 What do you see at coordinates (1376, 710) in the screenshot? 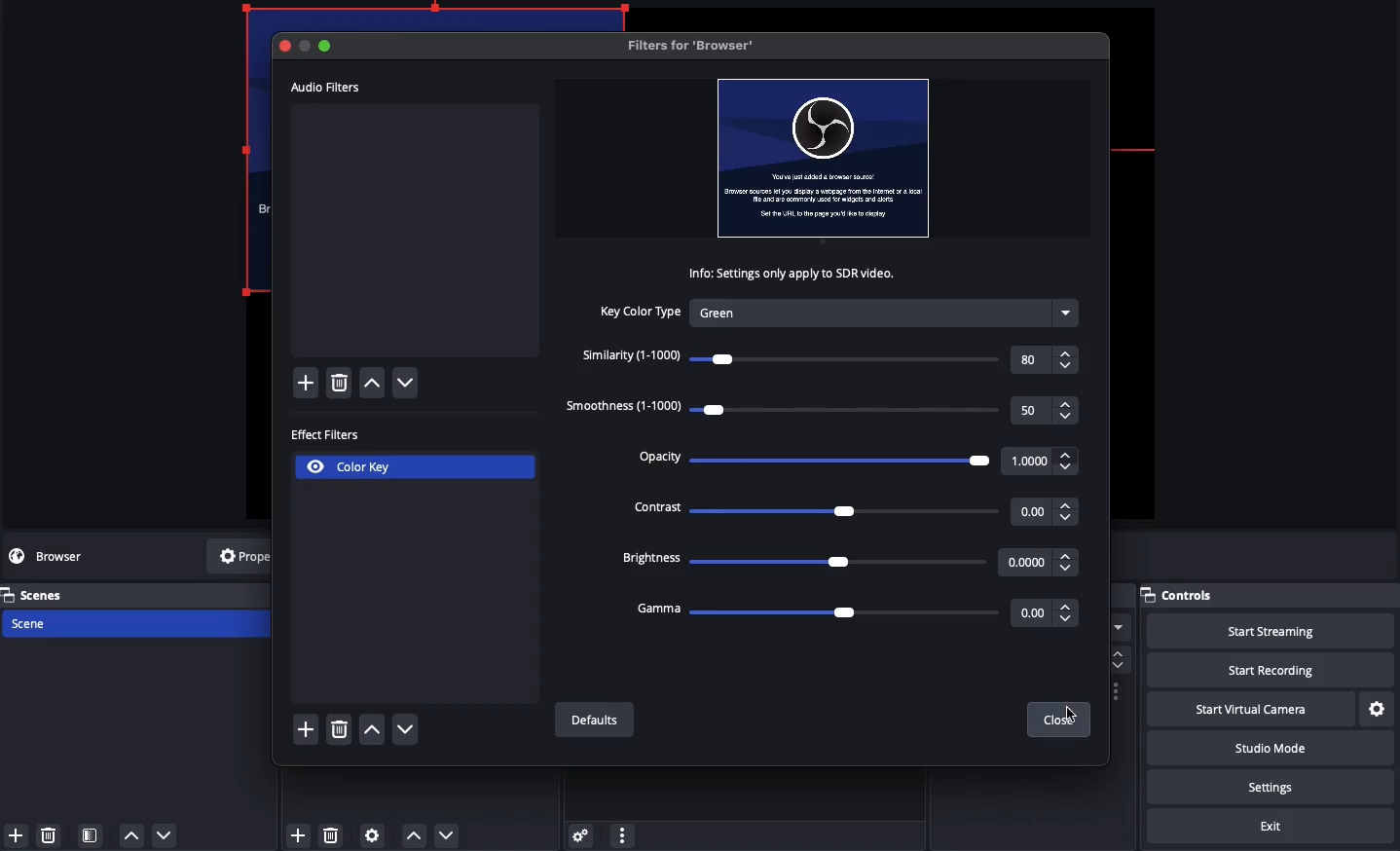
I see `Settings` at bounding box center [1376, 710].